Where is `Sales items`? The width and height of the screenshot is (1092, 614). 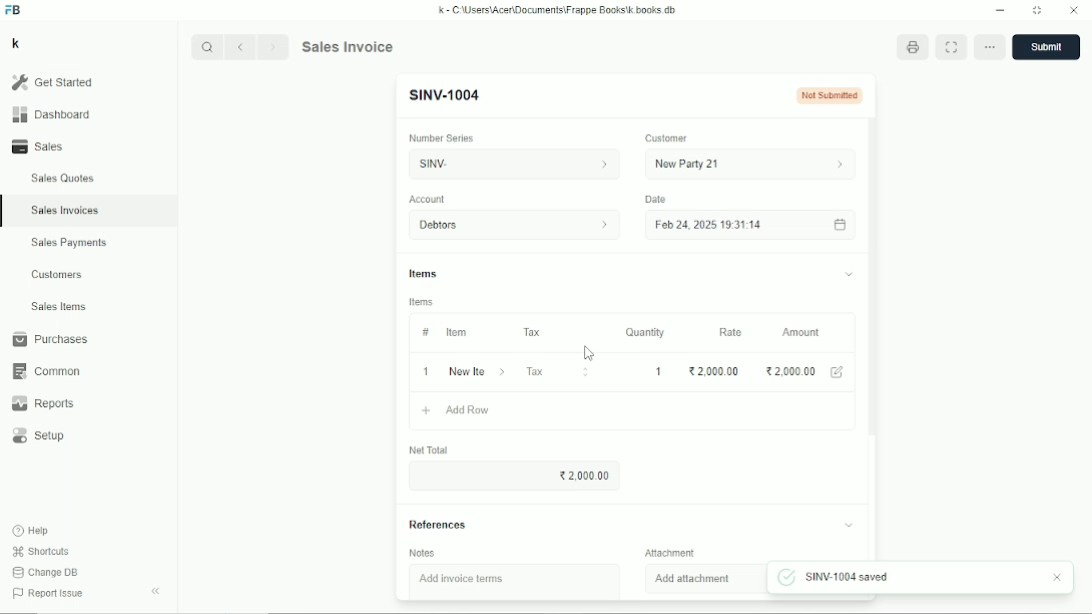 Sales items is located at coordinates (58, 307).